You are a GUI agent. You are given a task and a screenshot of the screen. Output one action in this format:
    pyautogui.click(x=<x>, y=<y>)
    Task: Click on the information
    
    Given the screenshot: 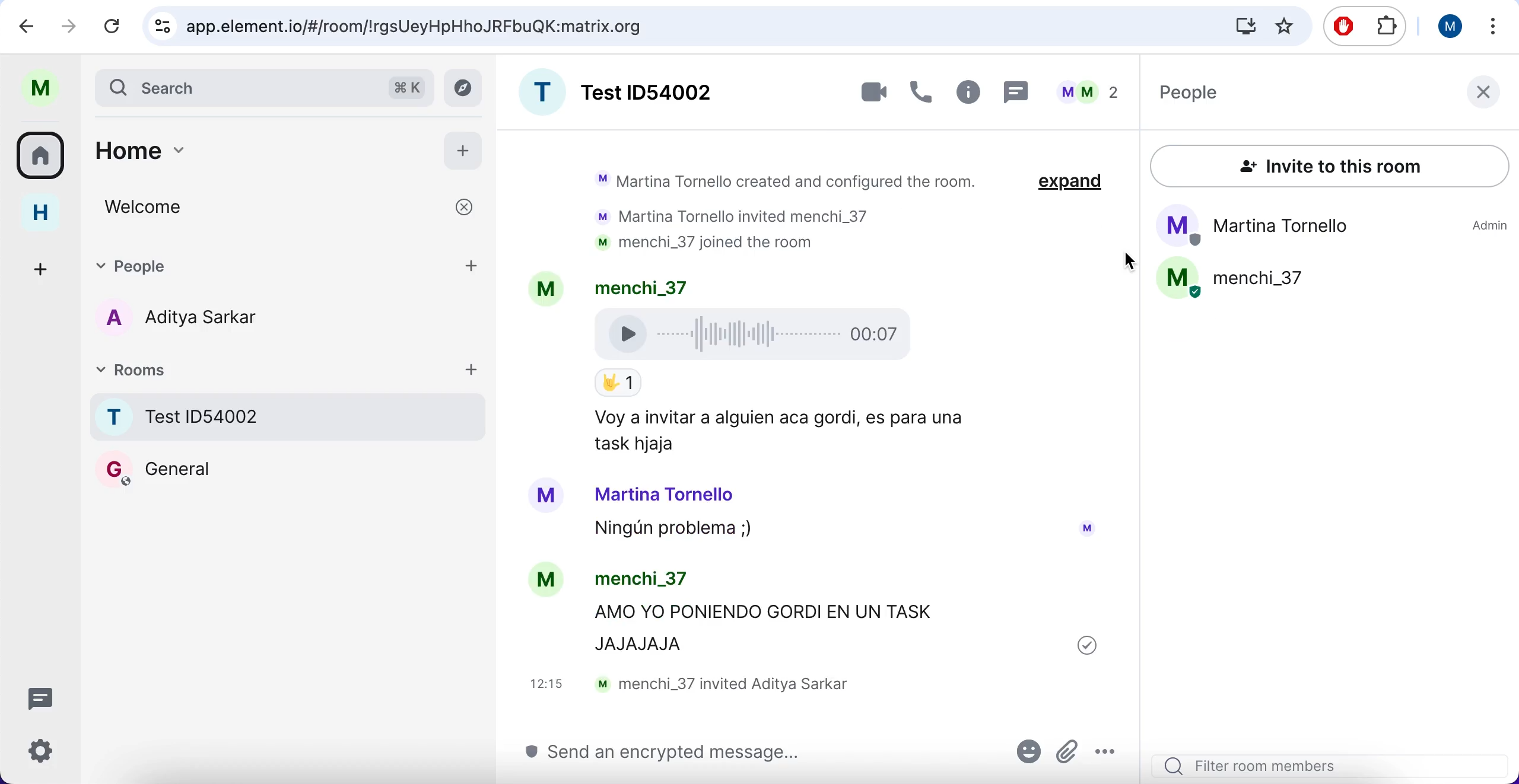 What is the action you would take?
    pyautogui.click(x=970, y=95)
    